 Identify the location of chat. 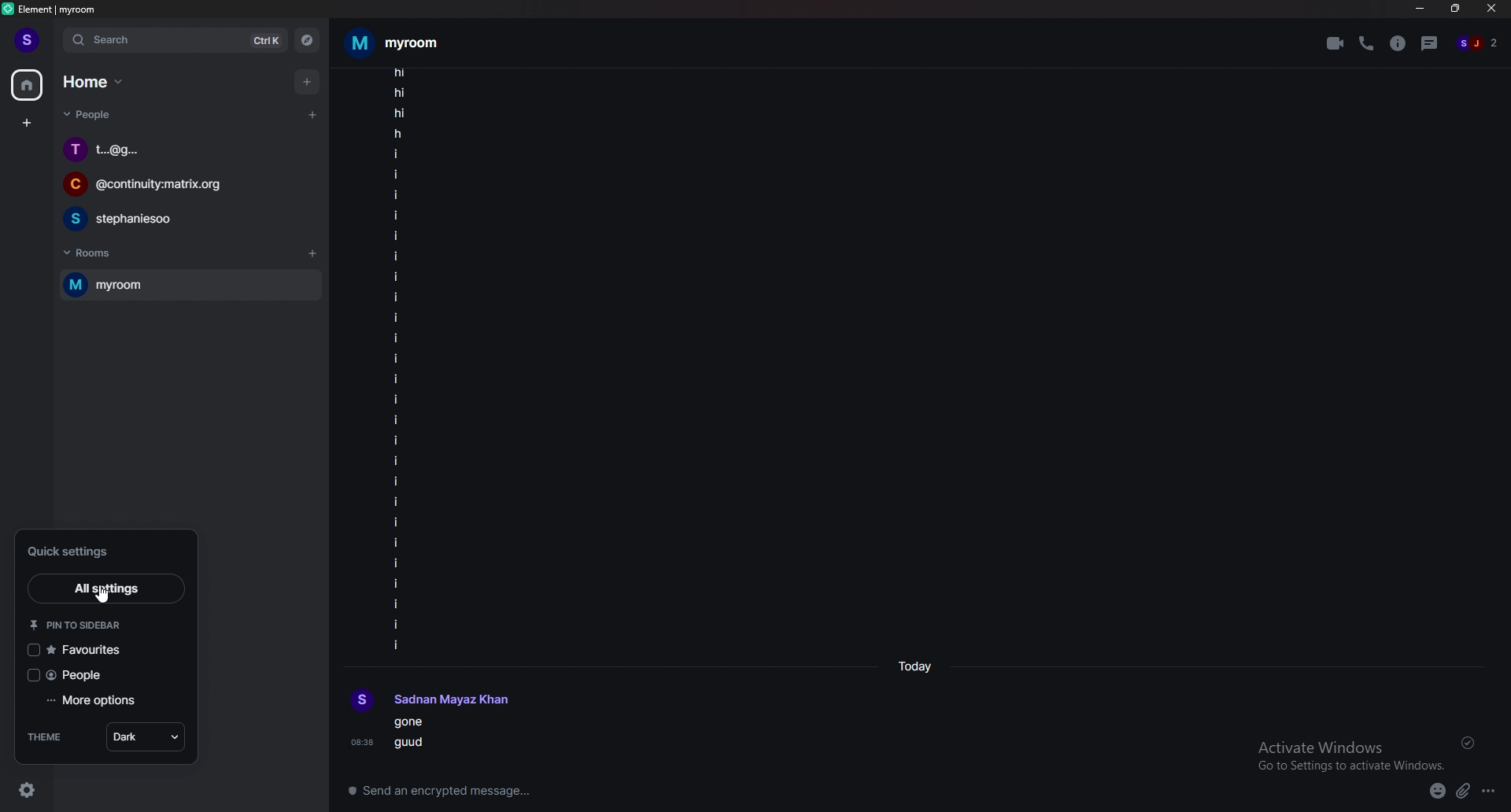
(181, 186).